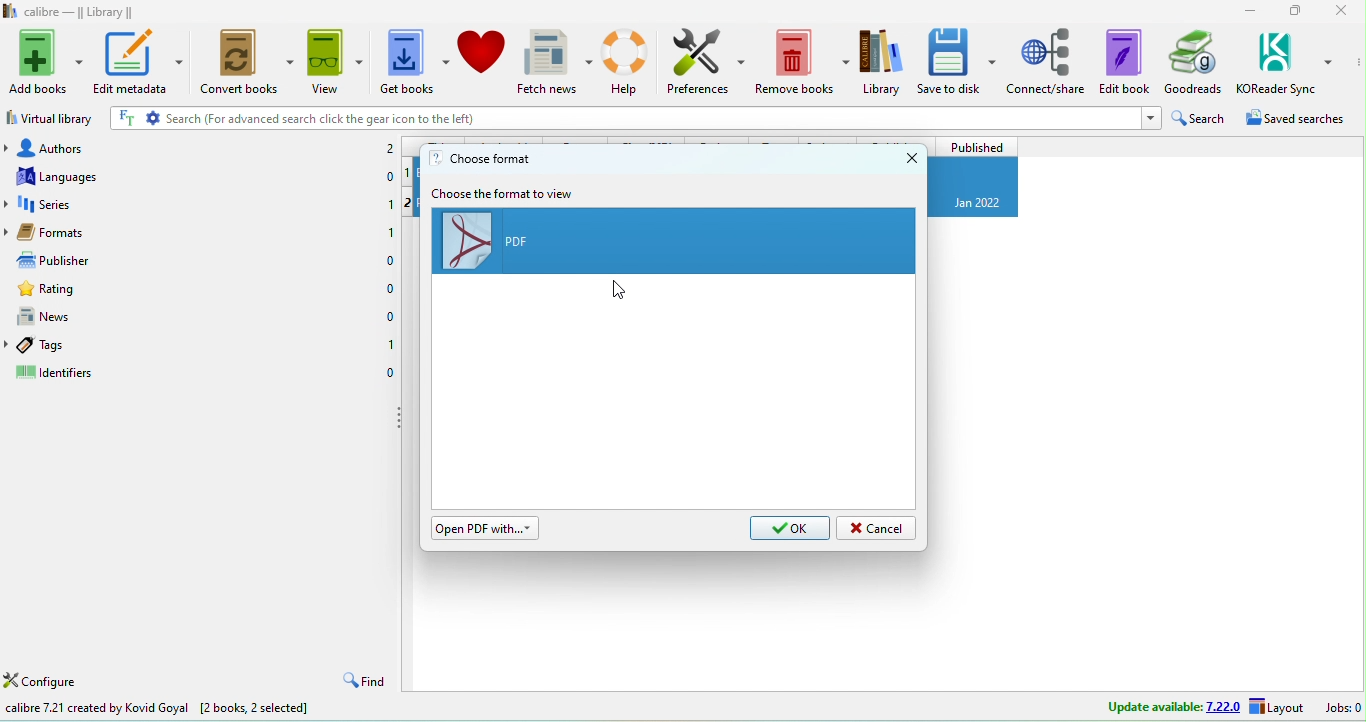  I want to click on Goodreads, so click(1193, 62).